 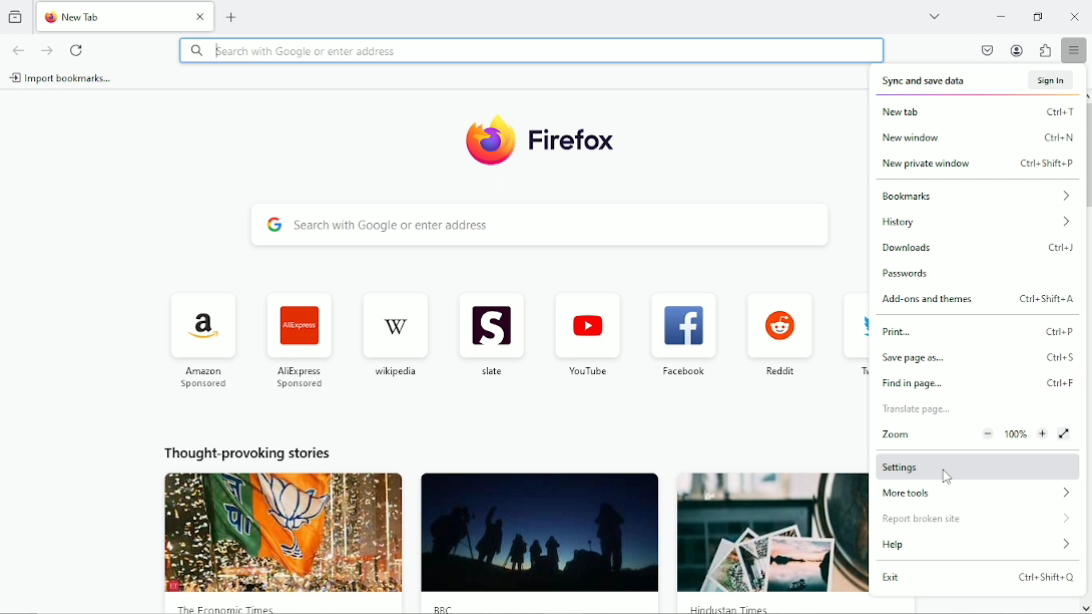 I want to click on View recent browsing, so click(x=17, y=15).